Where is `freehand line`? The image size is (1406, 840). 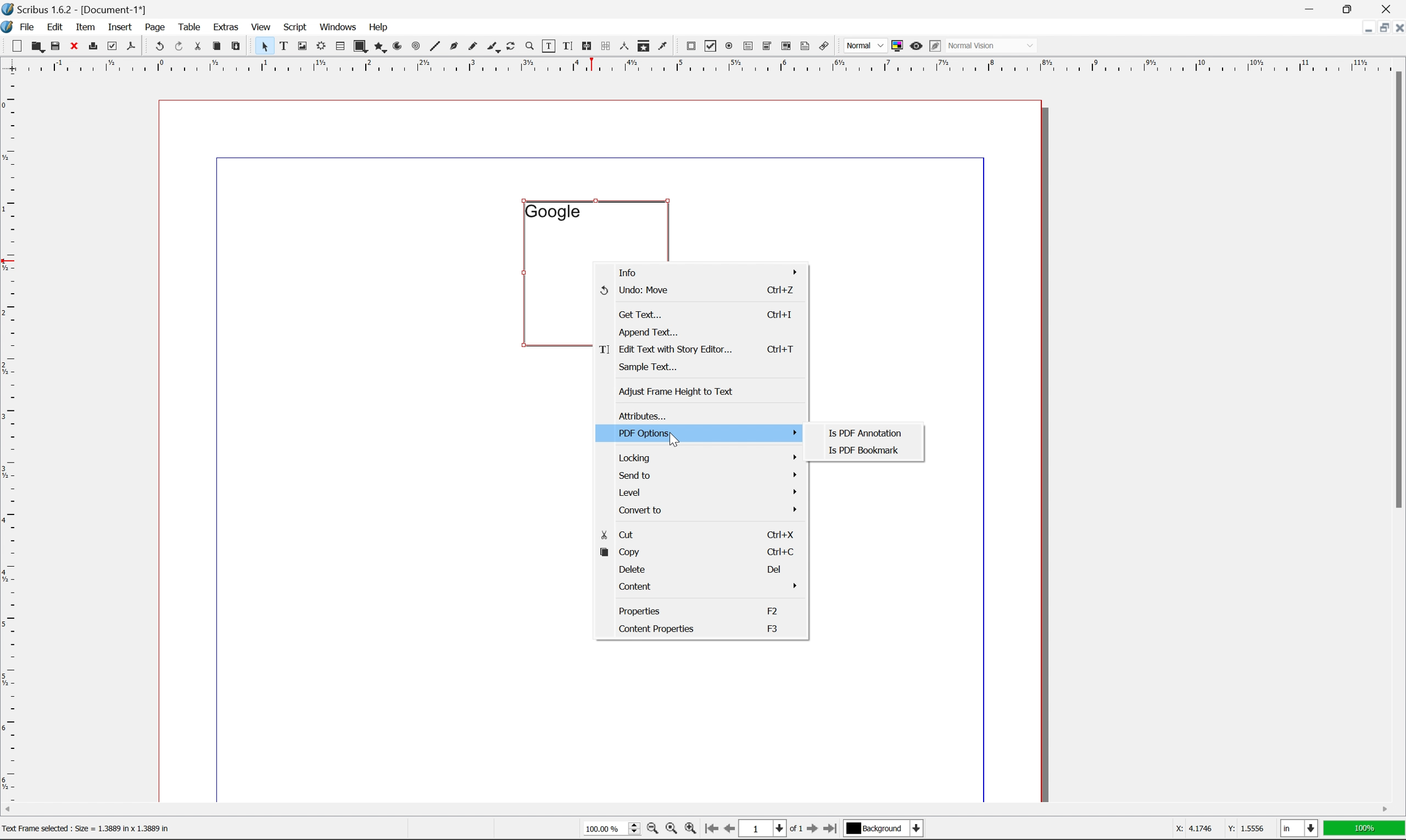
freehand line is located at coordinates (474, 47).